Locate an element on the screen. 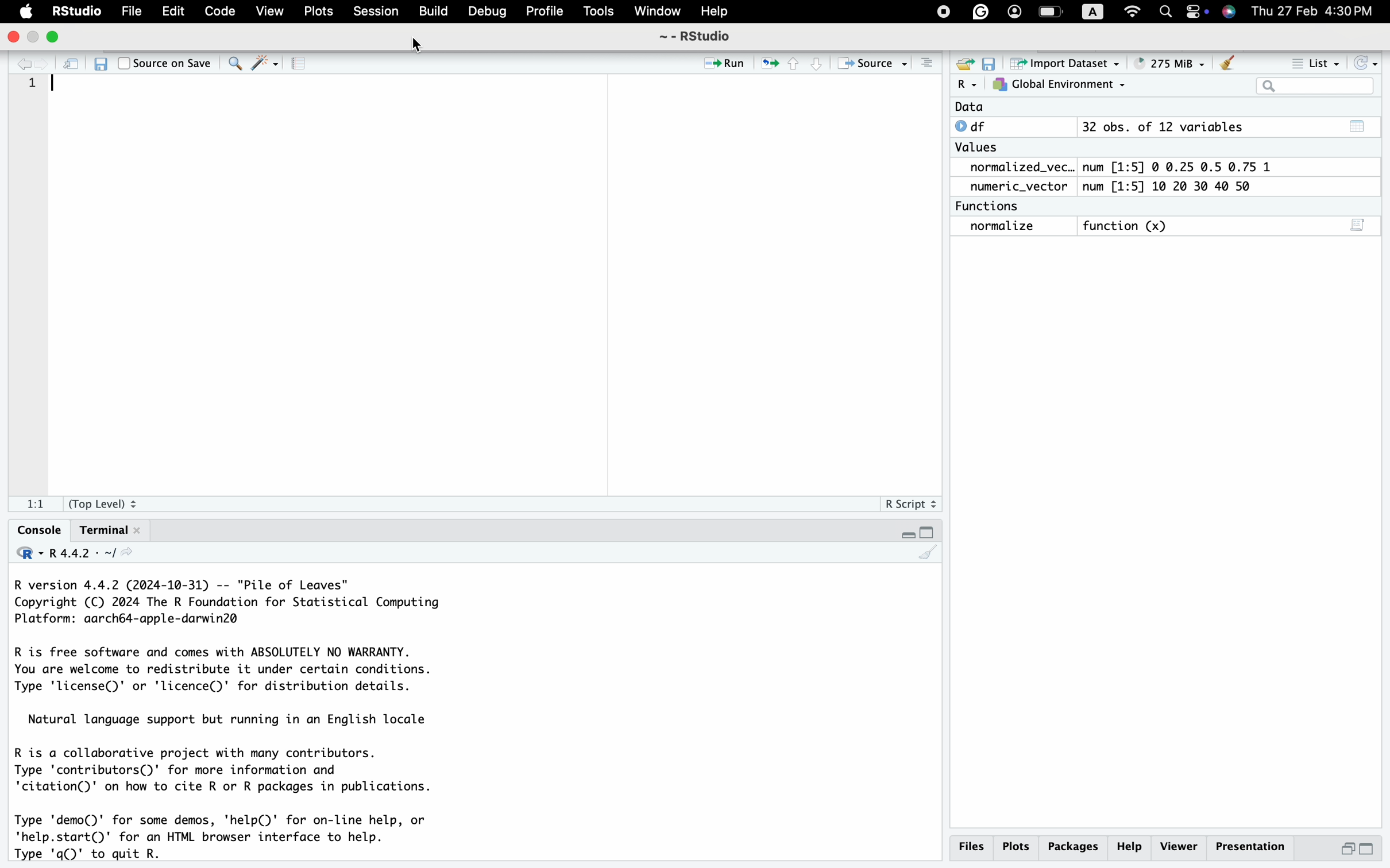 The width and height of the screenshot is (1390, 868). profile is located at coordinates (543, 12).